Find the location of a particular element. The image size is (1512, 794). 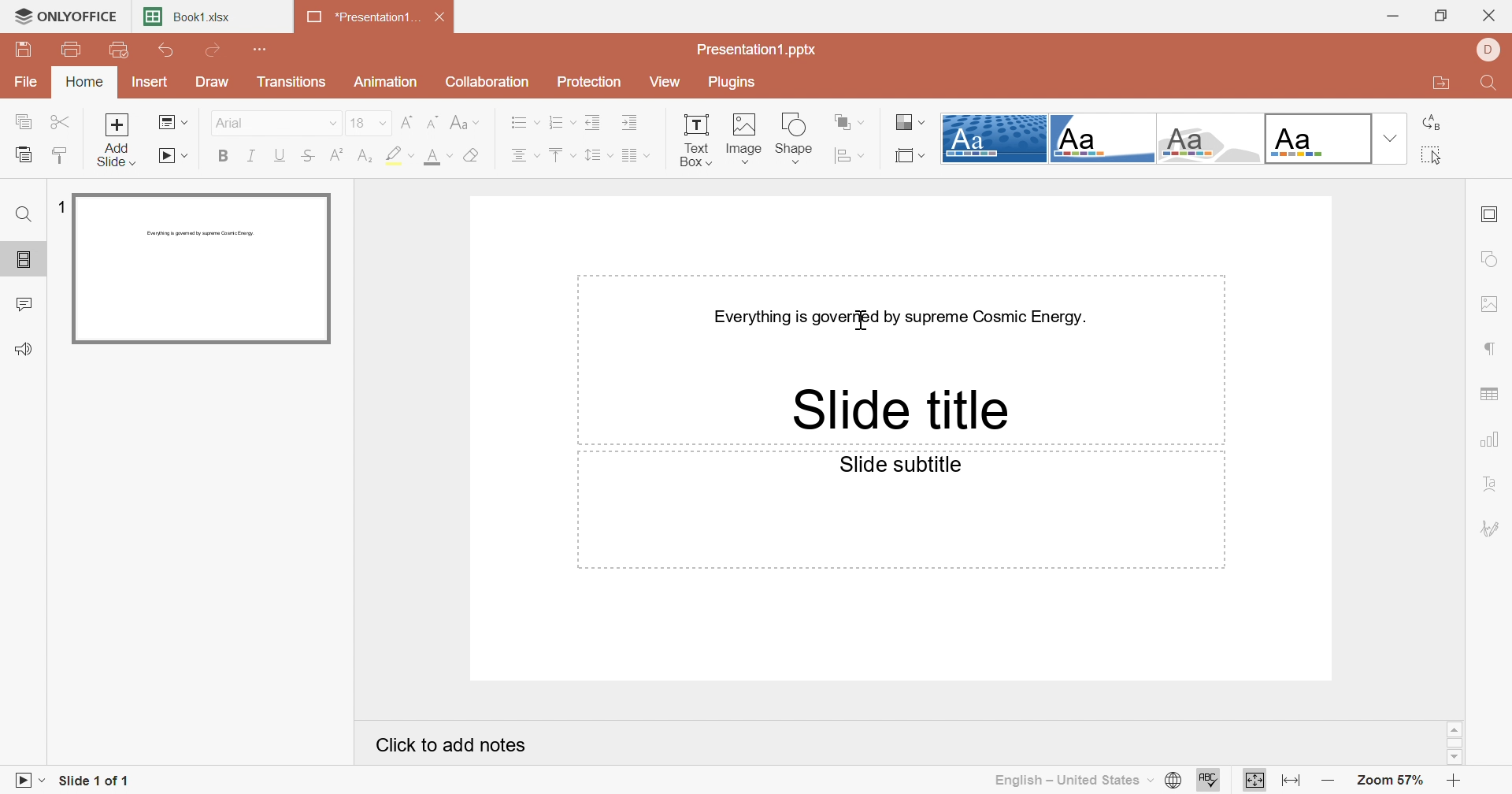

Restore Down is located at coordinates (1440, 16).